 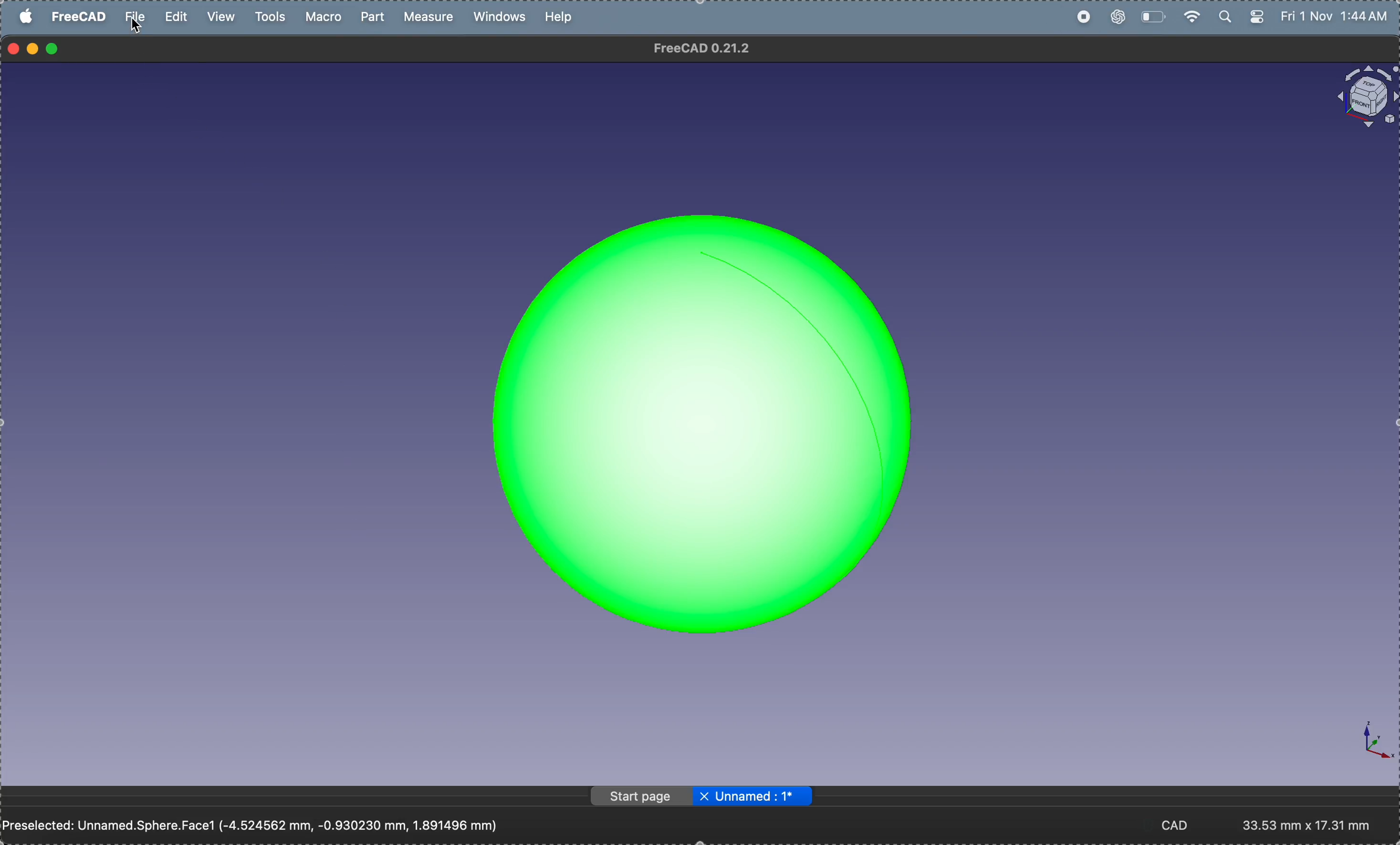 I want to click on file, so click(x=137, y=20).